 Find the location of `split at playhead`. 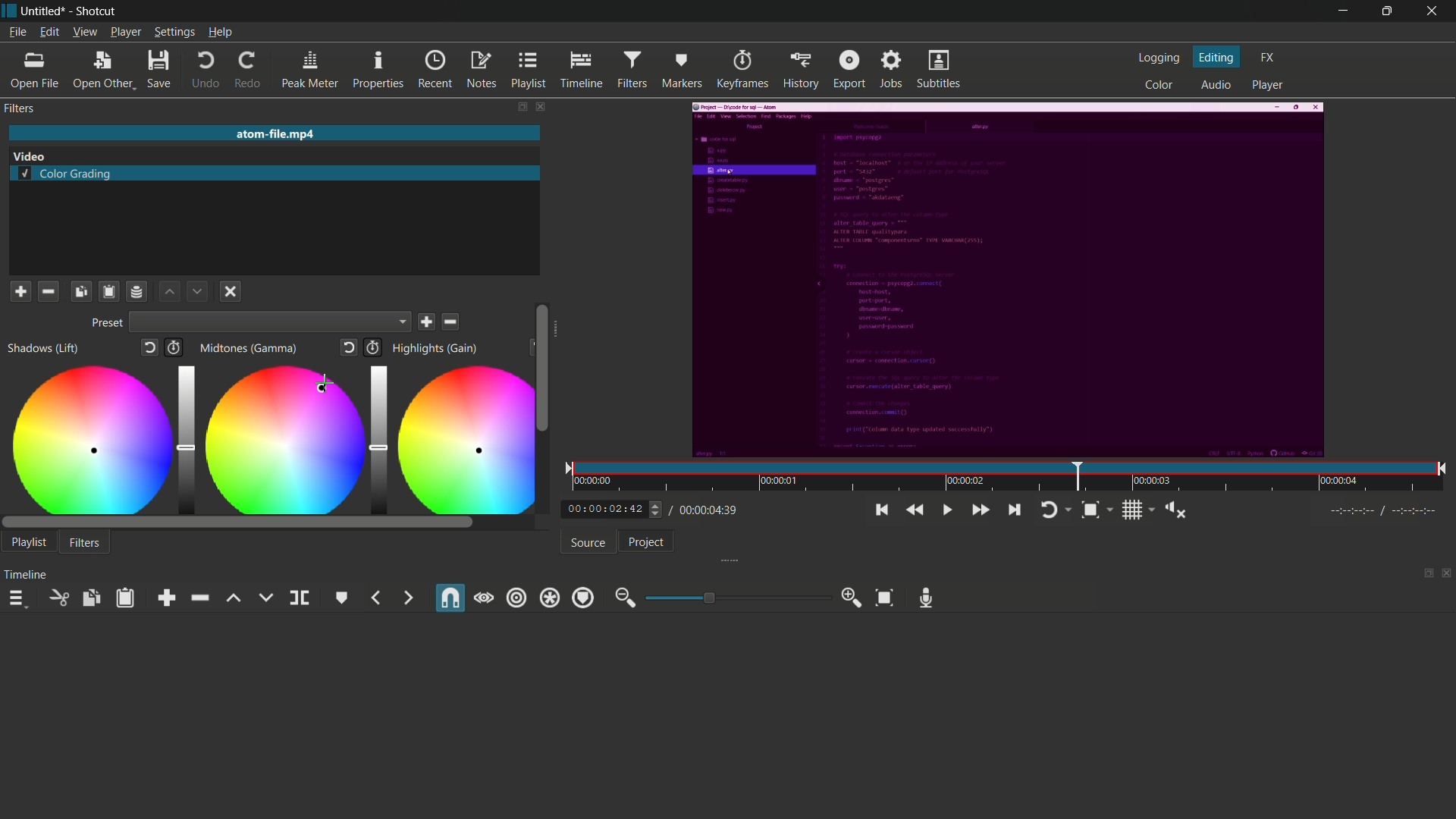

split at playhead is located at coordinates (300, 598).